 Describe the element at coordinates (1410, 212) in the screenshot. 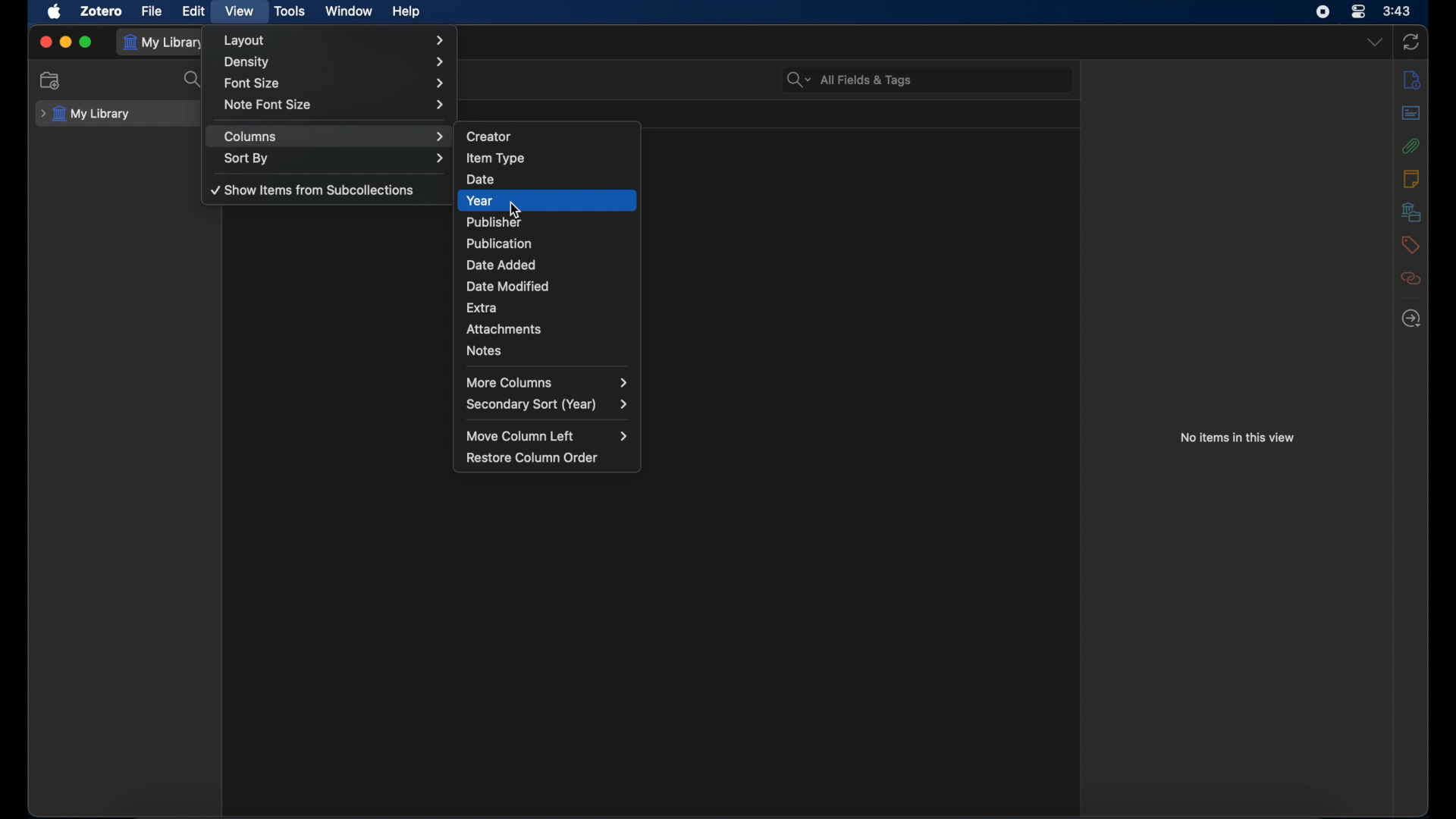

I see `libraries` at that location.